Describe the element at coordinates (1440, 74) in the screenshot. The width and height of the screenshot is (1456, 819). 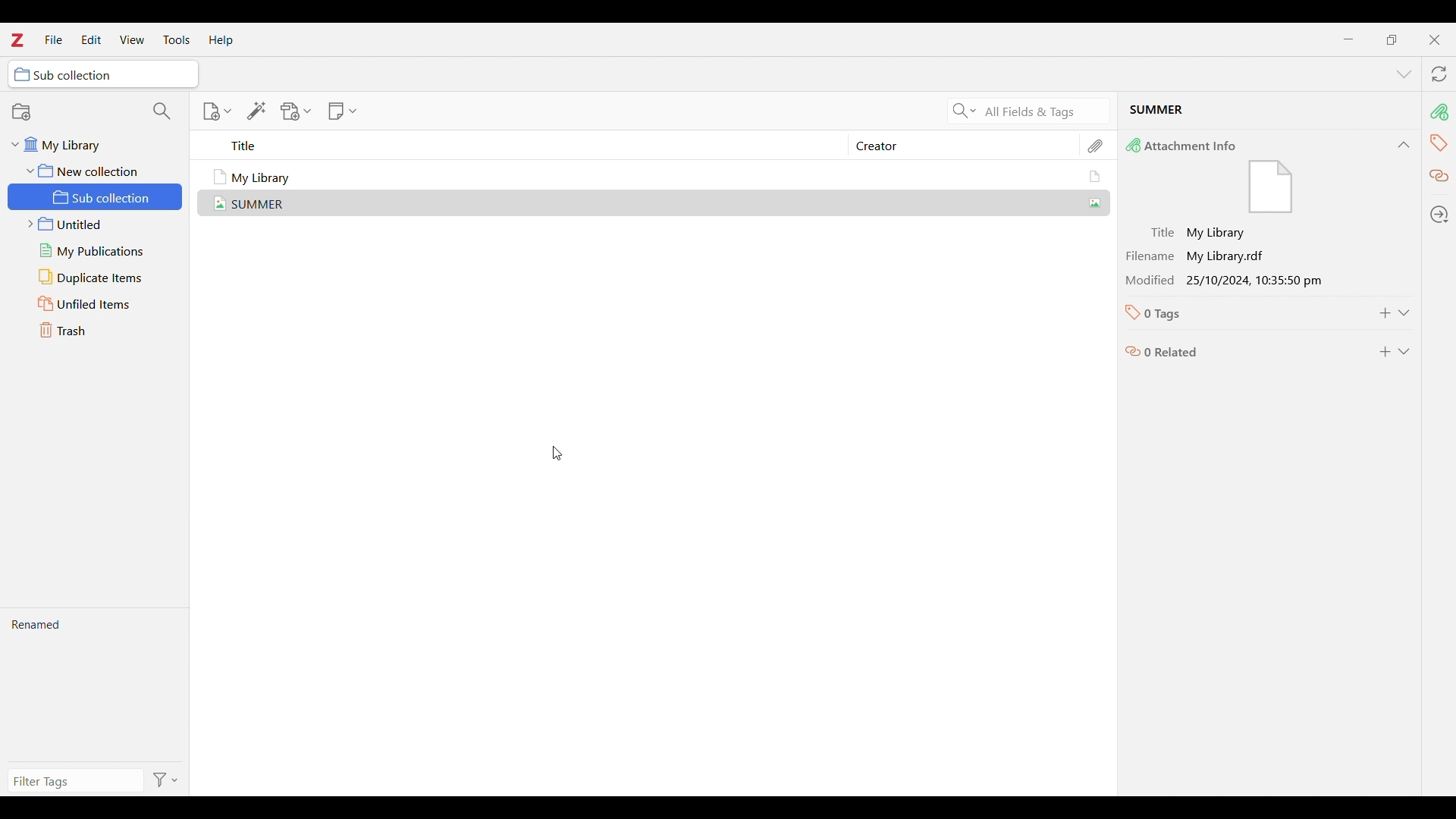
I see `Sync with zotero.org` at that location.